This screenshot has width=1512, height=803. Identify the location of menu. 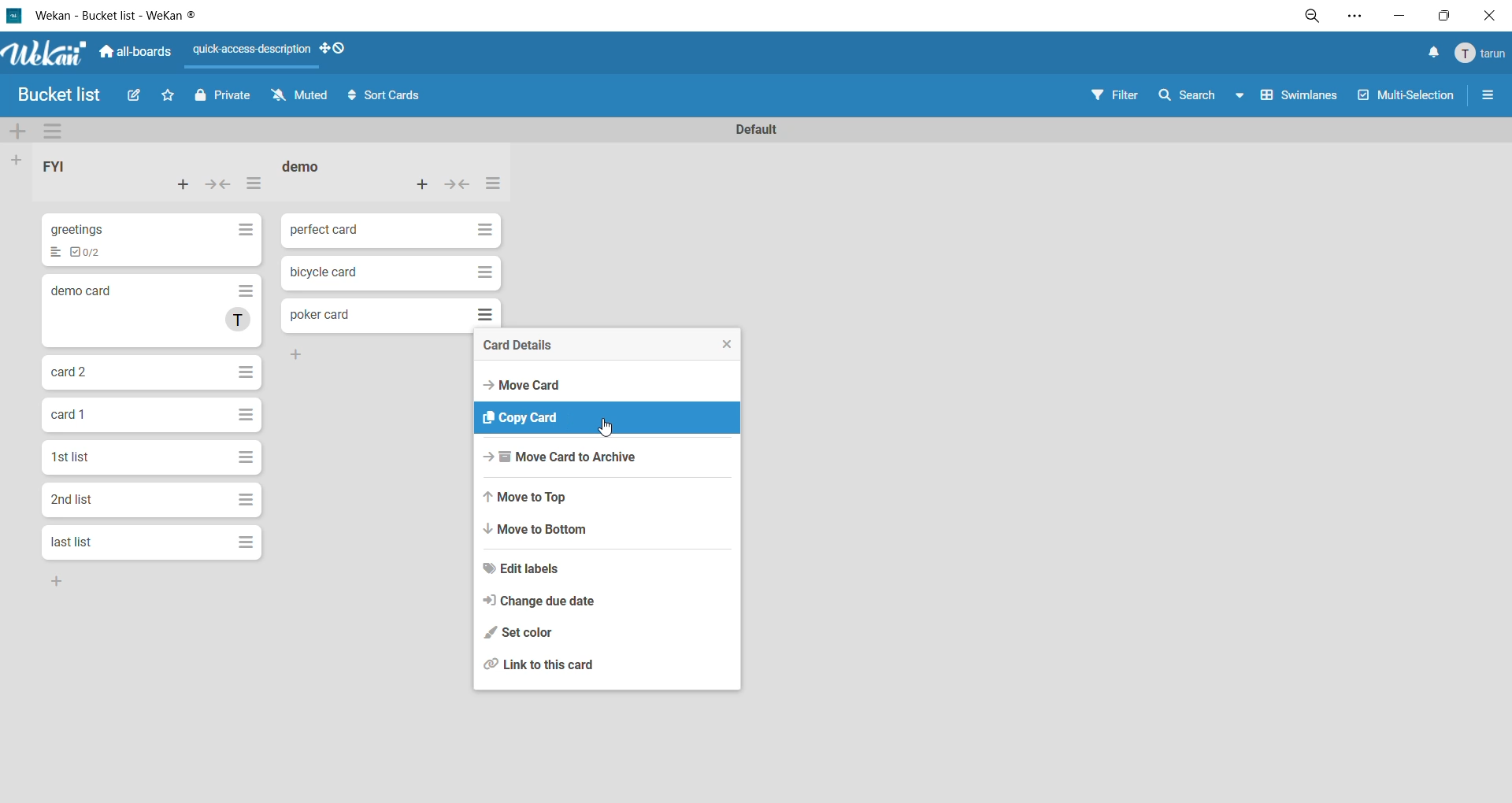
(1477, 54).